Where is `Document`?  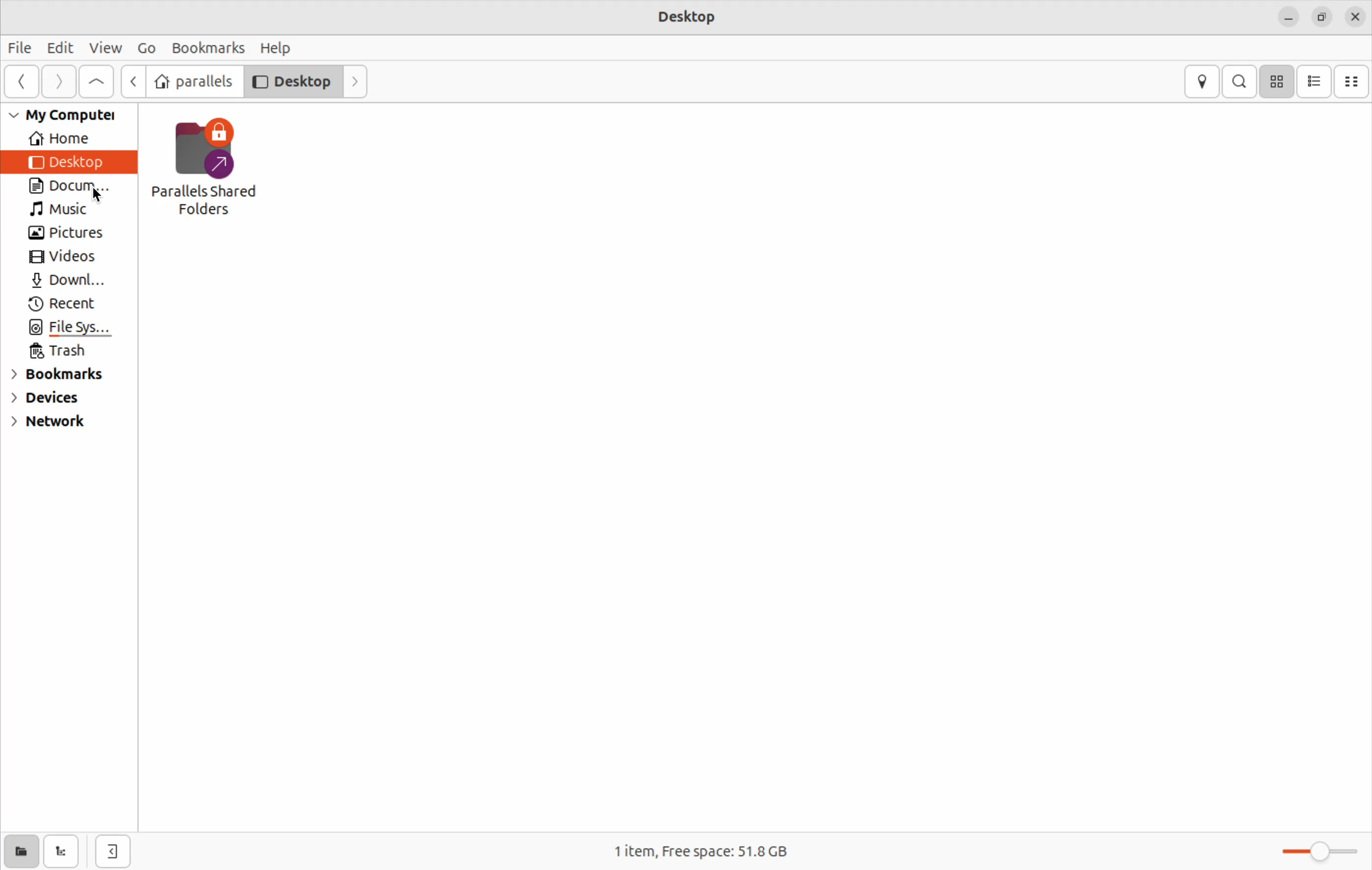
Document is located at coordinates (74, 187).